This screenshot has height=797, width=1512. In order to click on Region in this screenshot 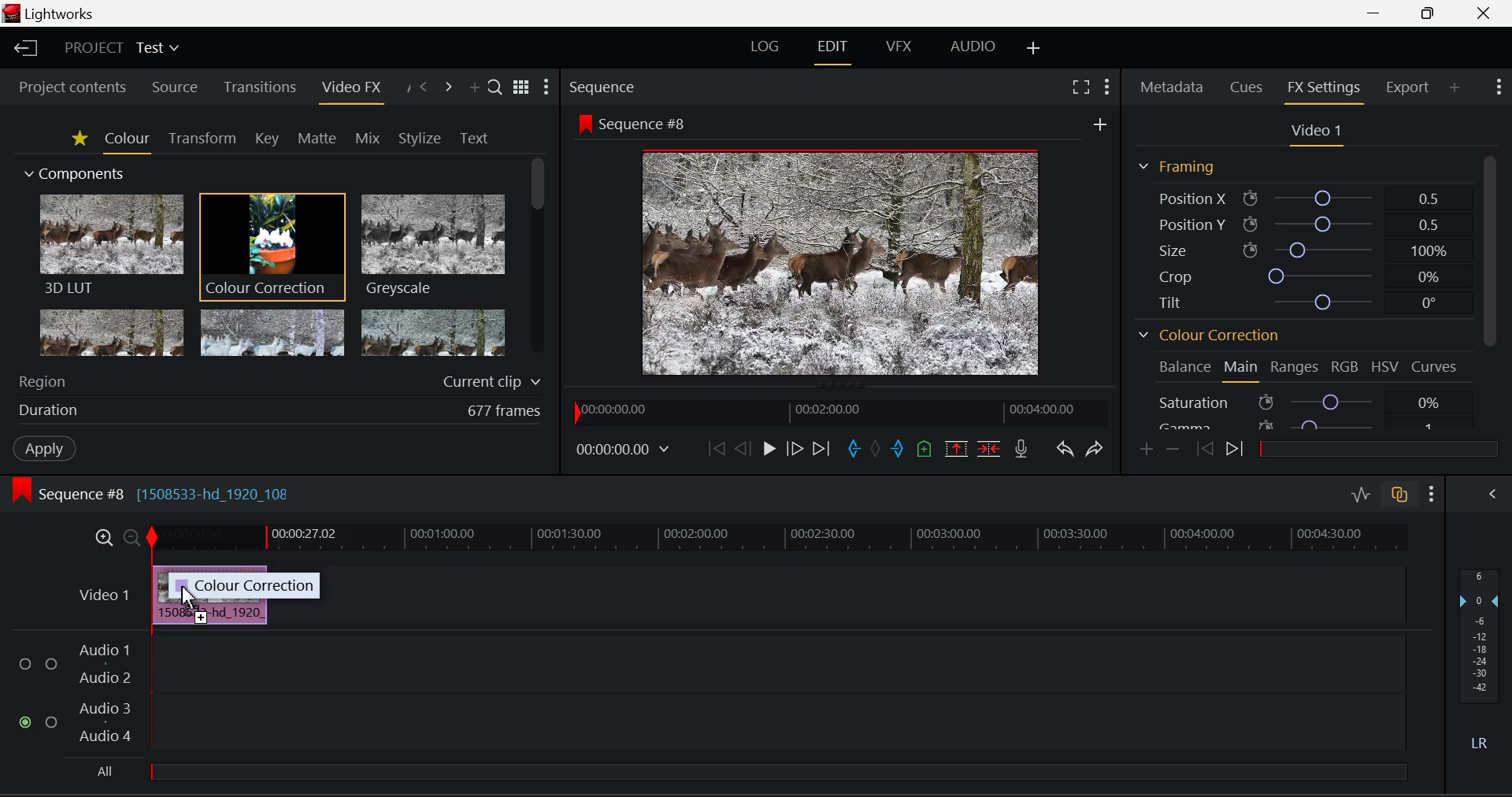, I will do `click(280, 381)`.